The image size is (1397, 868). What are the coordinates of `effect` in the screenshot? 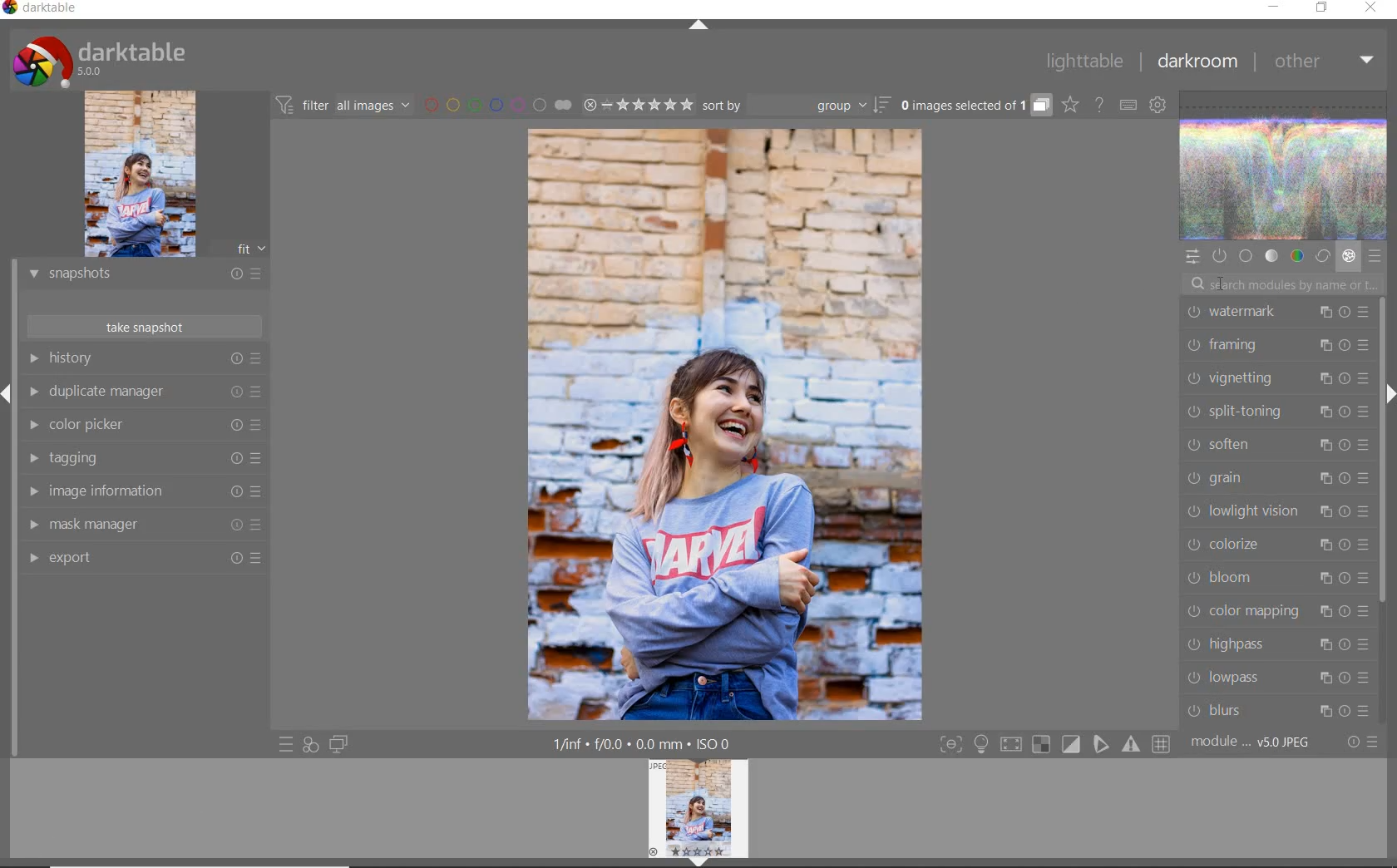 It's located at (1346, 257).